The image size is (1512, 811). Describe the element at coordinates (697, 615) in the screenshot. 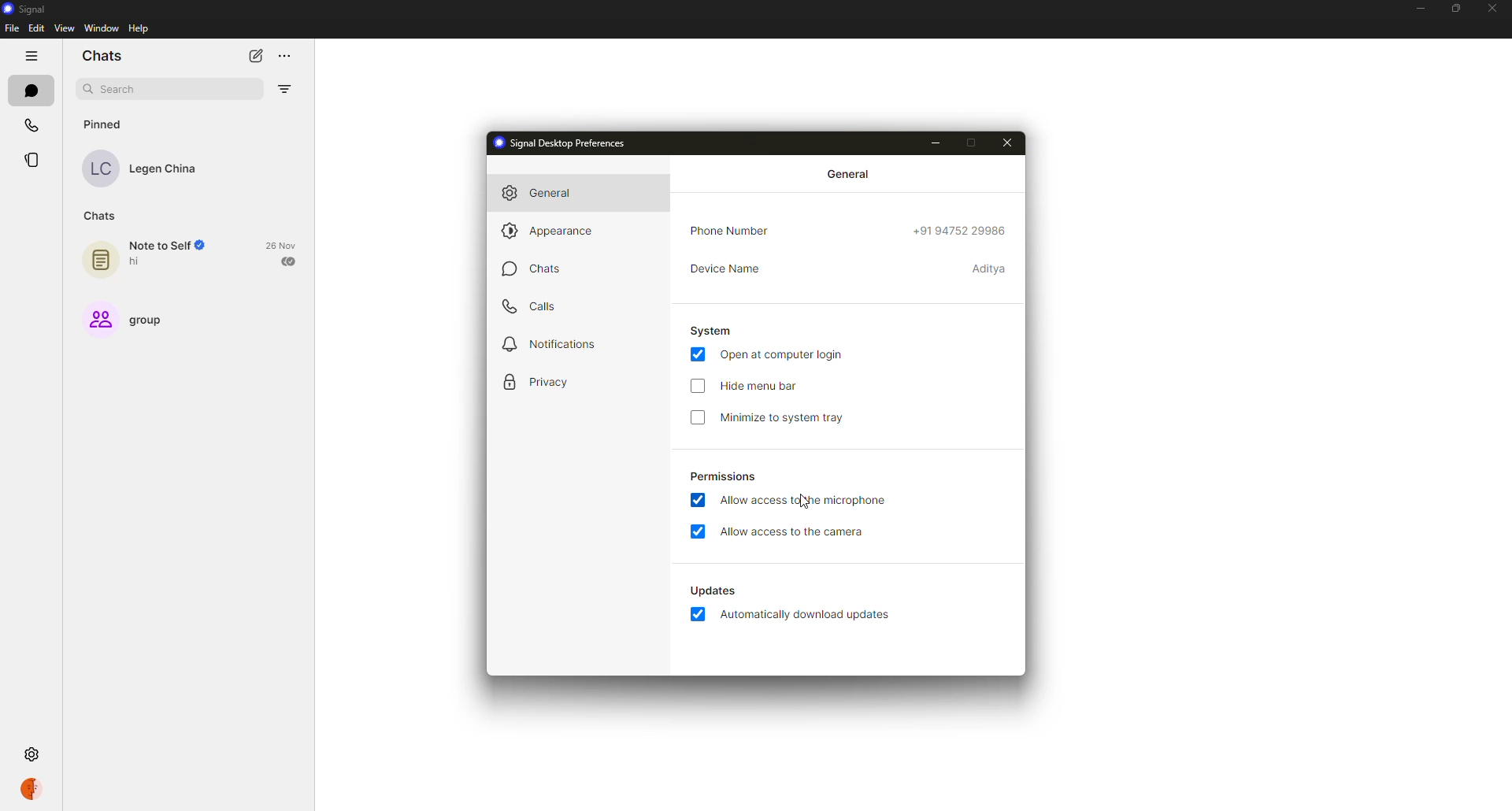

I see `enabled` at that location.